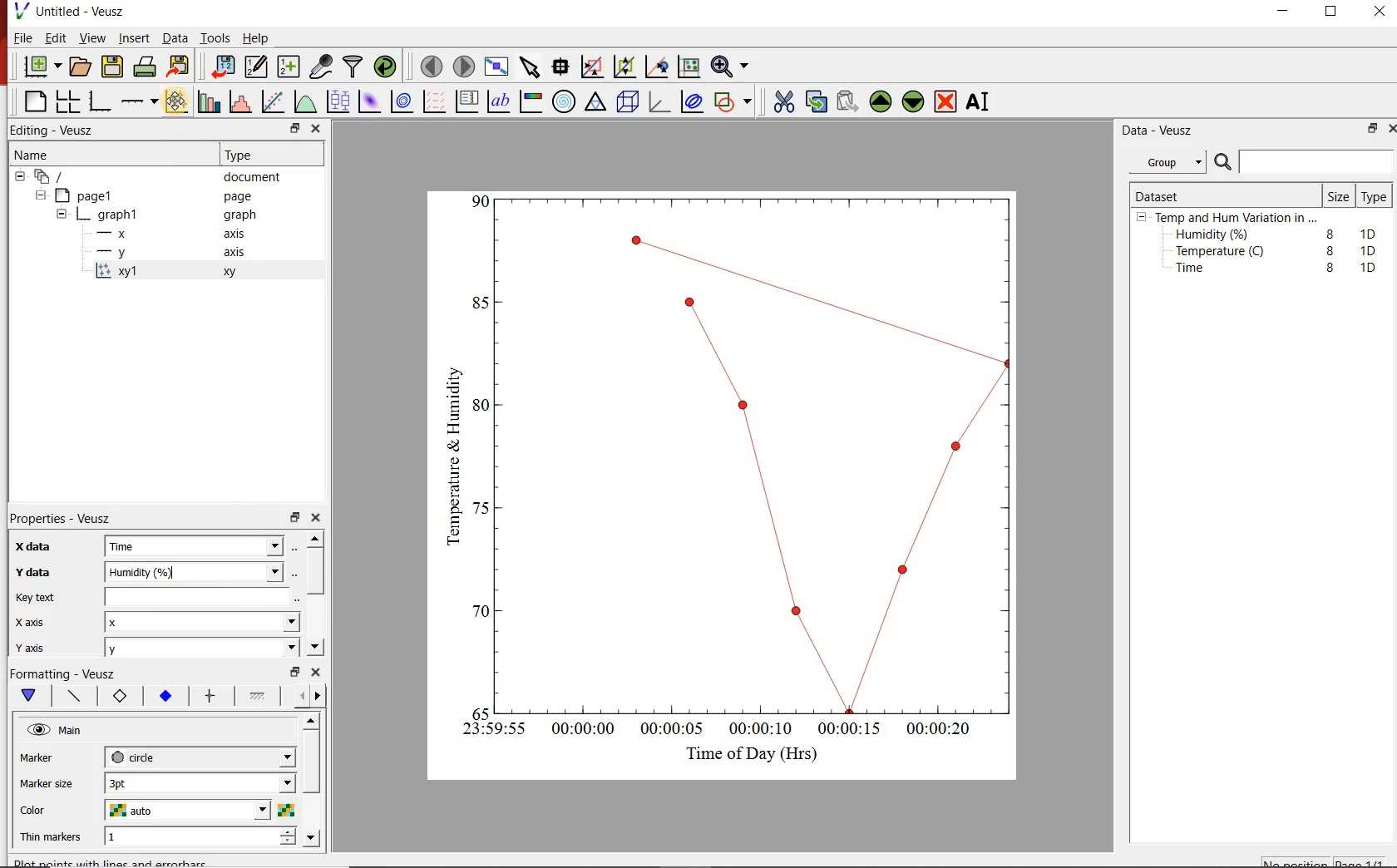 This screenshot has height=868, width=1397. What do you see at coordinates (47, 156) in the screenshot?
I see `Name` at bounding box center [47, 156].